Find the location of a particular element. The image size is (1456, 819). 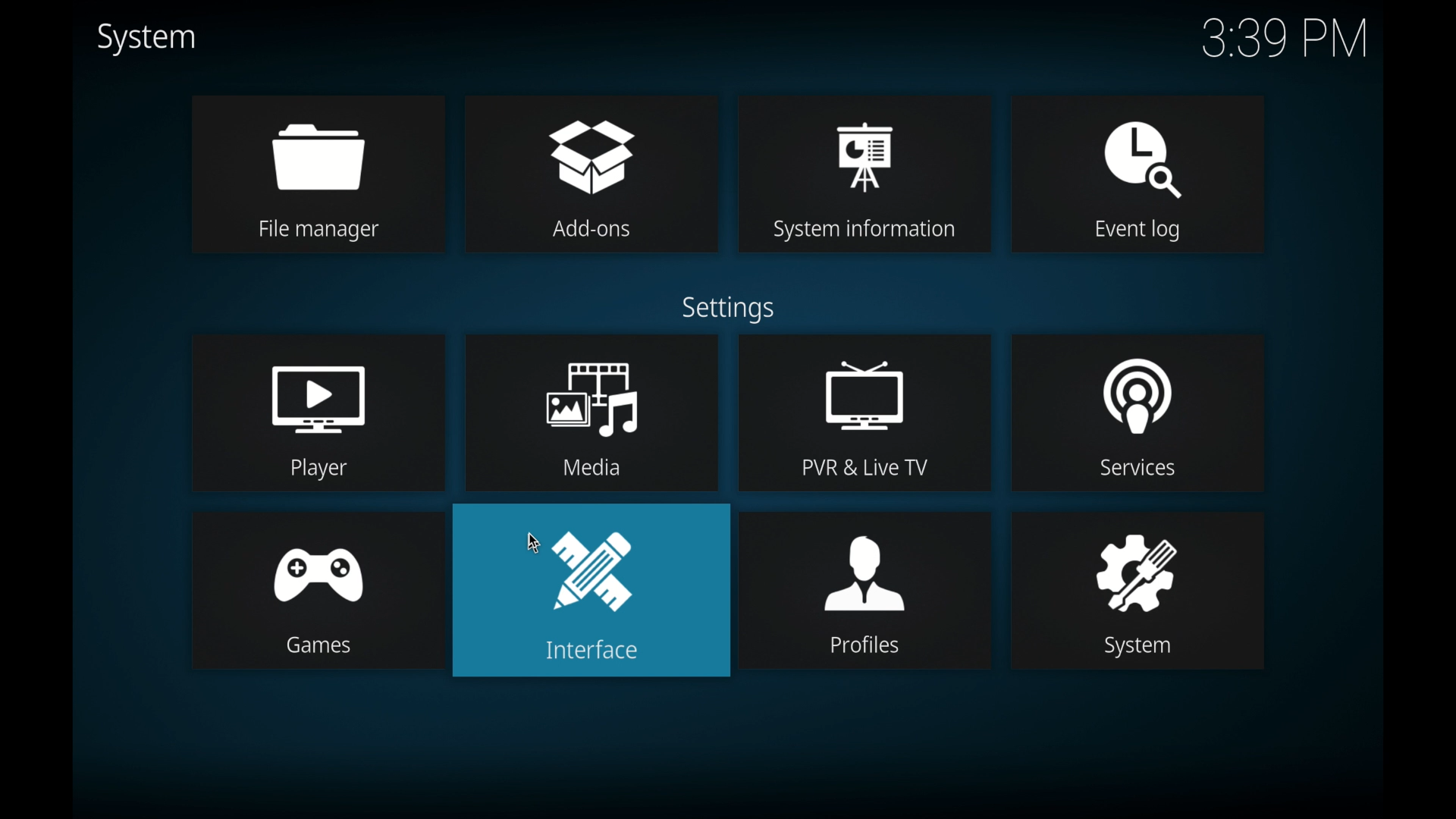

cursor is located at coordinates (532, 542).